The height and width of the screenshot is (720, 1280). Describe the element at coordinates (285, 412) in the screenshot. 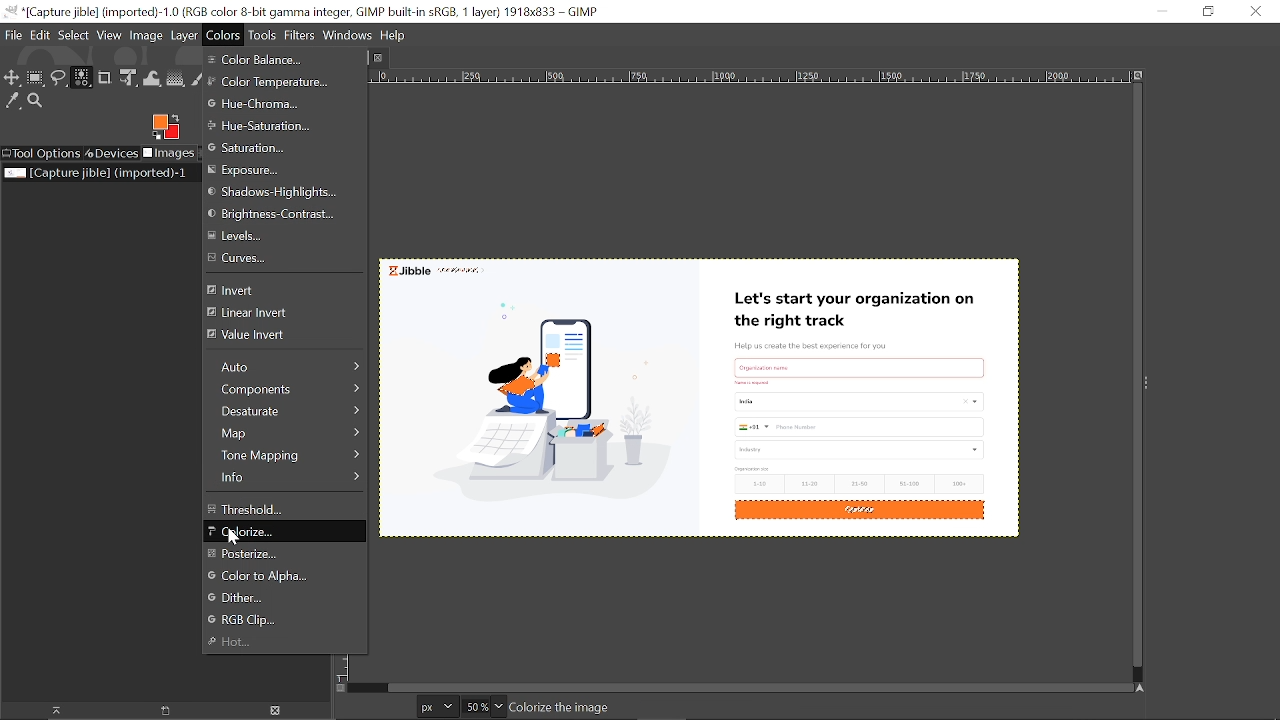

I see `Desaturate` at that location.